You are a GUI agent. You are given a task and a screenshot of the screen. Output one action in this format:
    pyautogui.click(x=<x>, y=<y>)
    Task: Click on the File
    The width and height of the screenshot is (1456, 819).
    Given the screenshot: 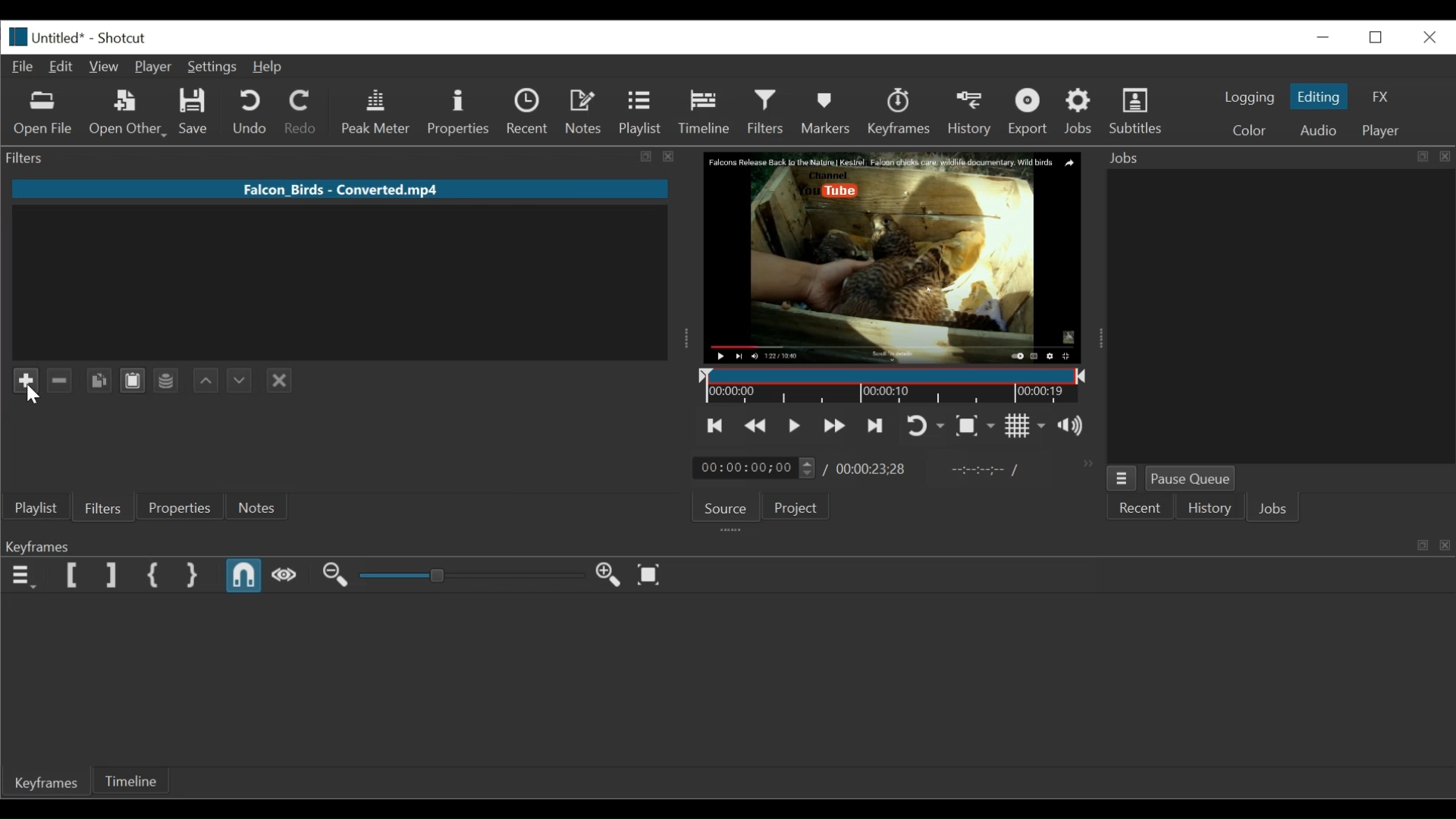 What is the action you would take?
    pyautogui.click(x=22, y=67)
    